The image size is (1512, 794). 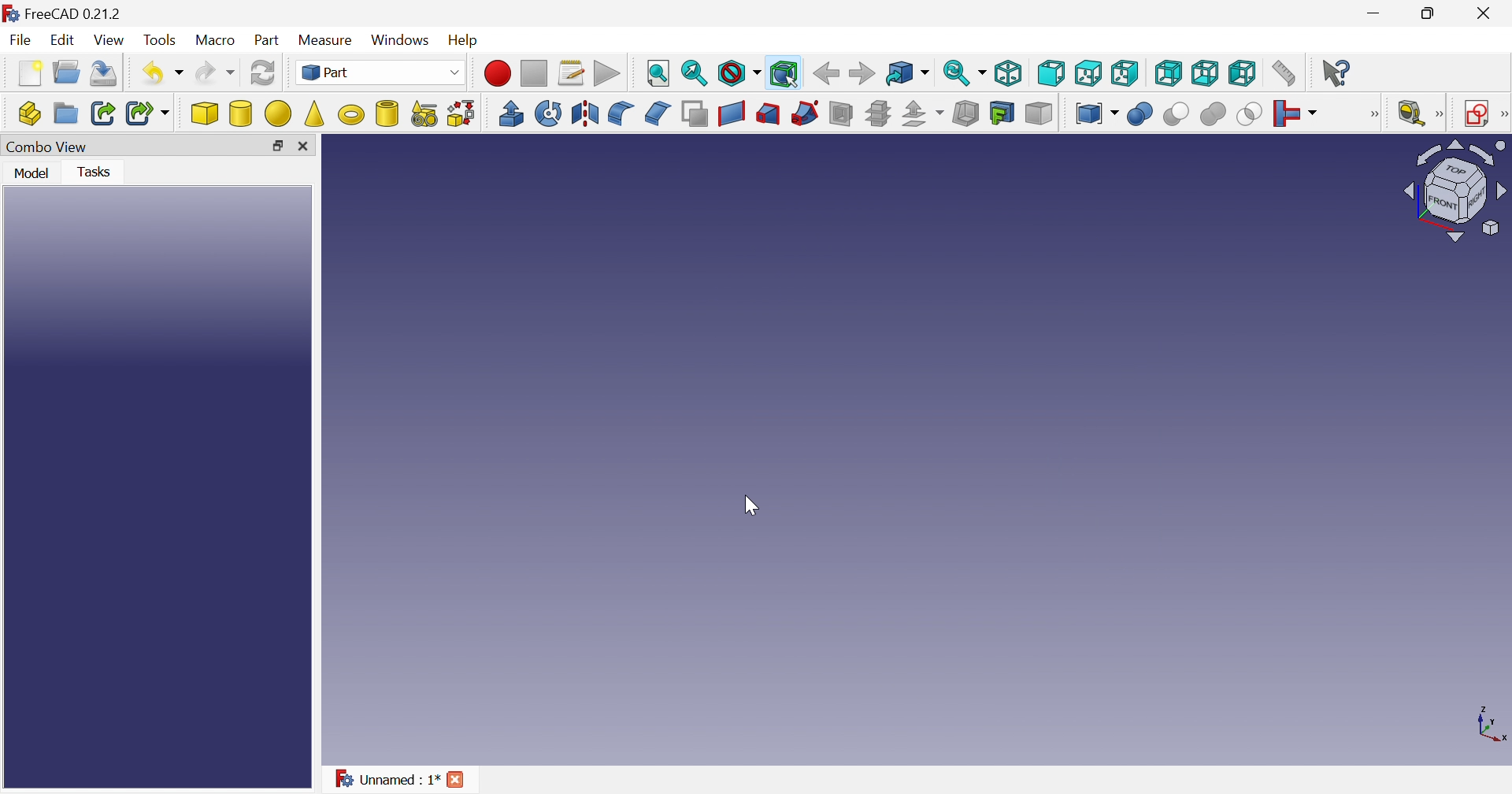 I want to click on Macro, so click(x=218, y=42).